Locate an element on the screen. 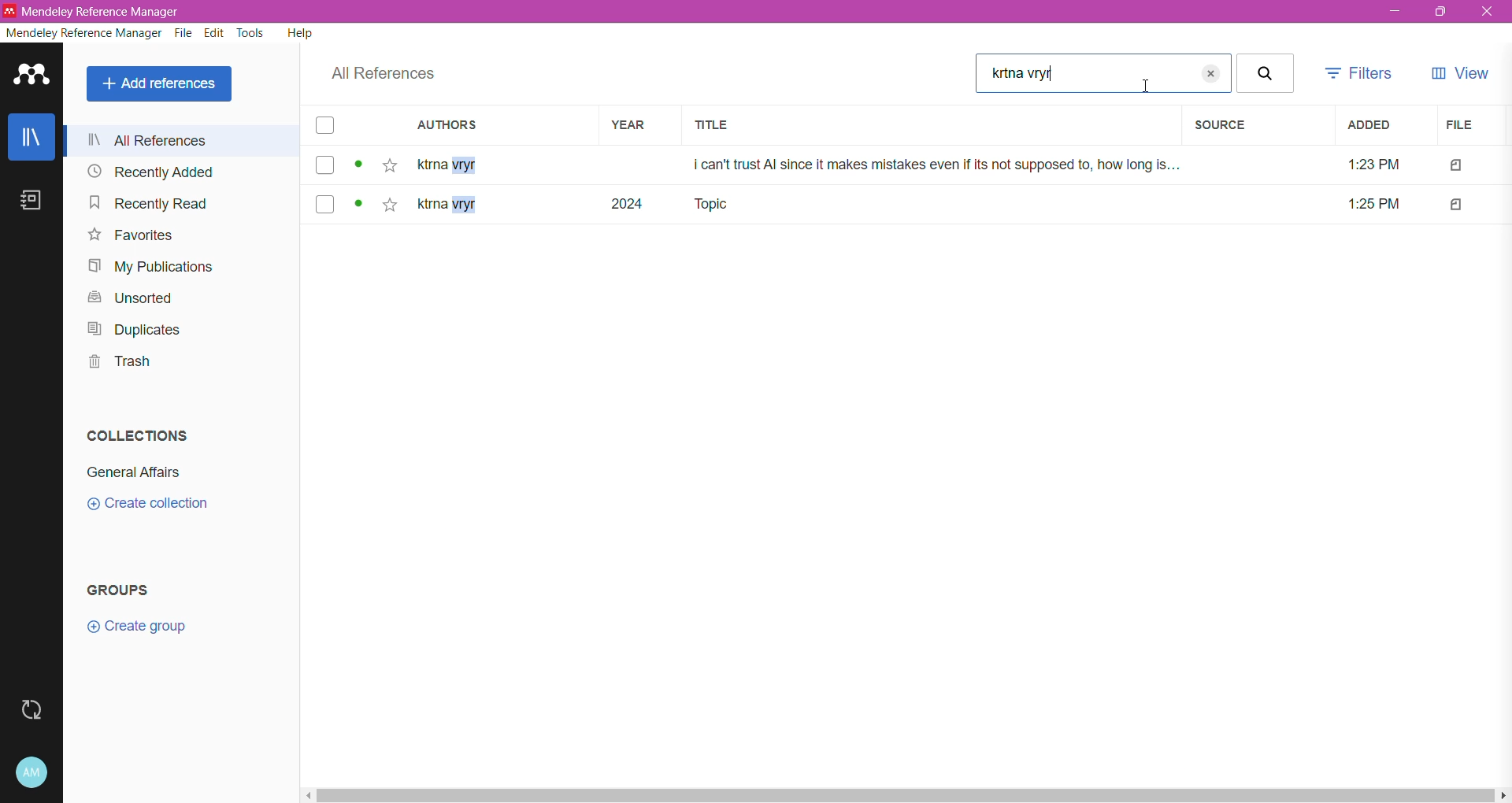  Unsorted is located at coordinates (126, 298).